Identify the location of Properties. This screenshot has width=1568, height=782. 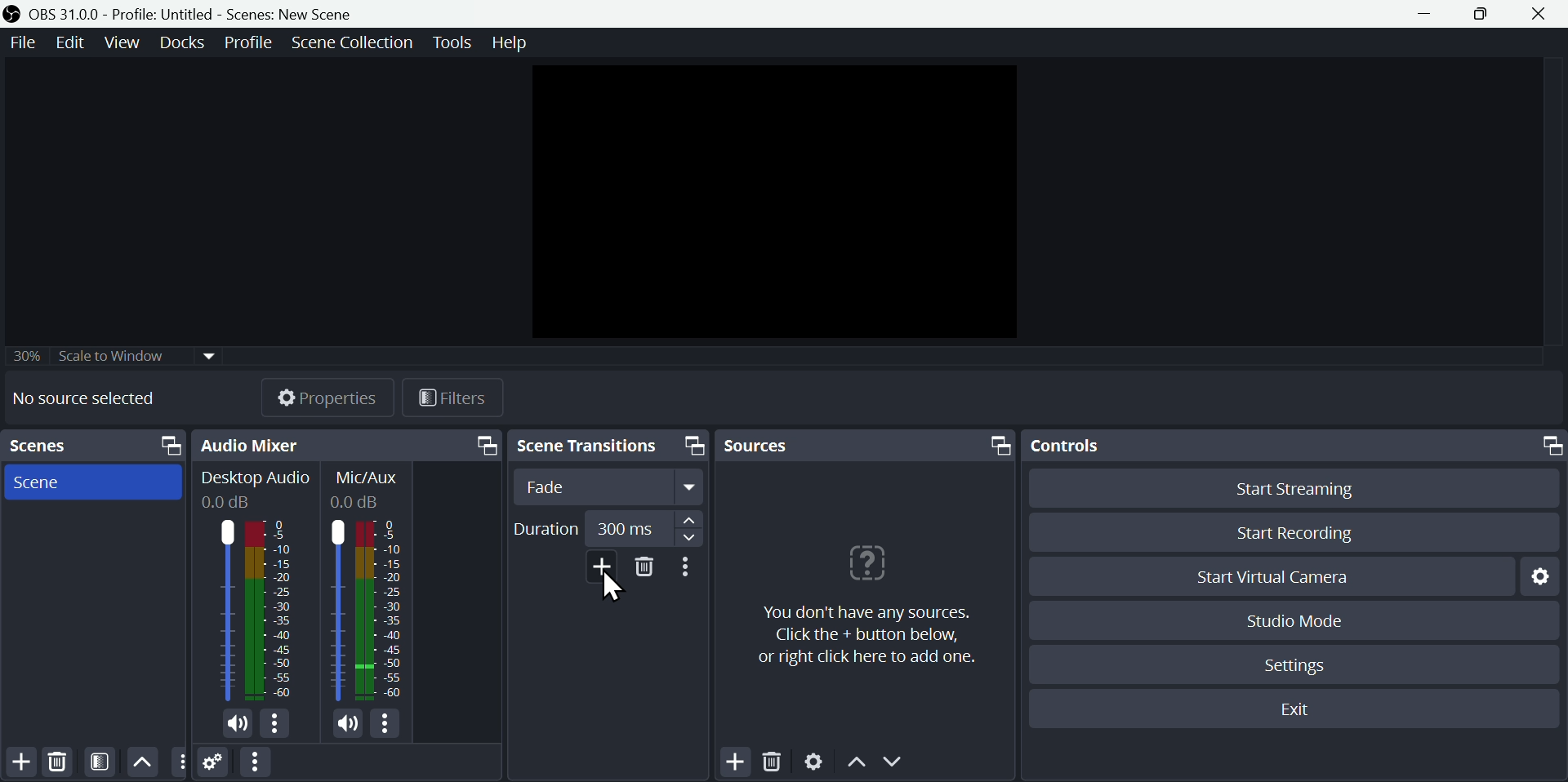
(329, 395).